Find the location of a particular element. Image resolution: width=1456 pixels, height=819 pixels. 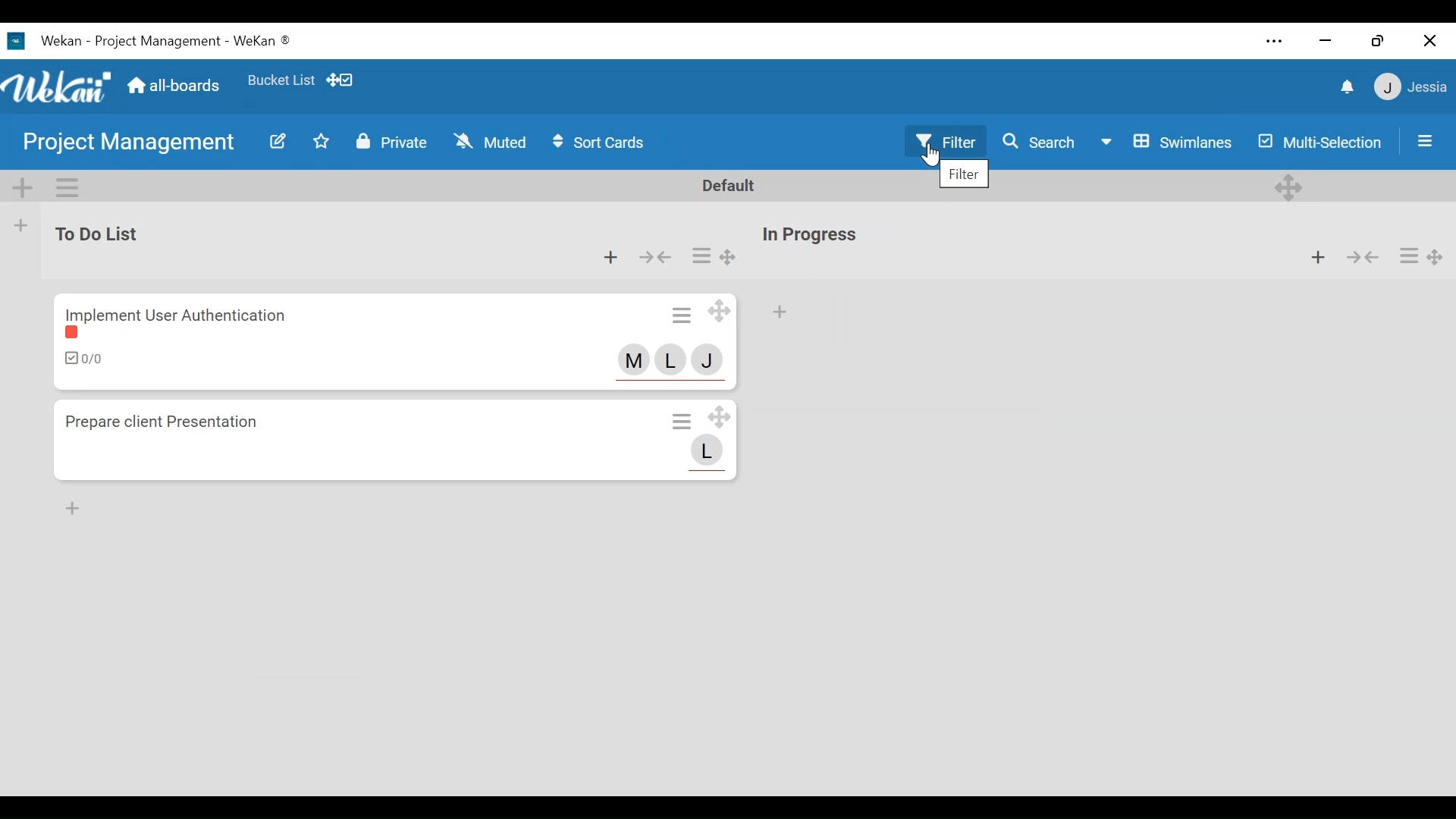

member is located at coordinates (712, 456).